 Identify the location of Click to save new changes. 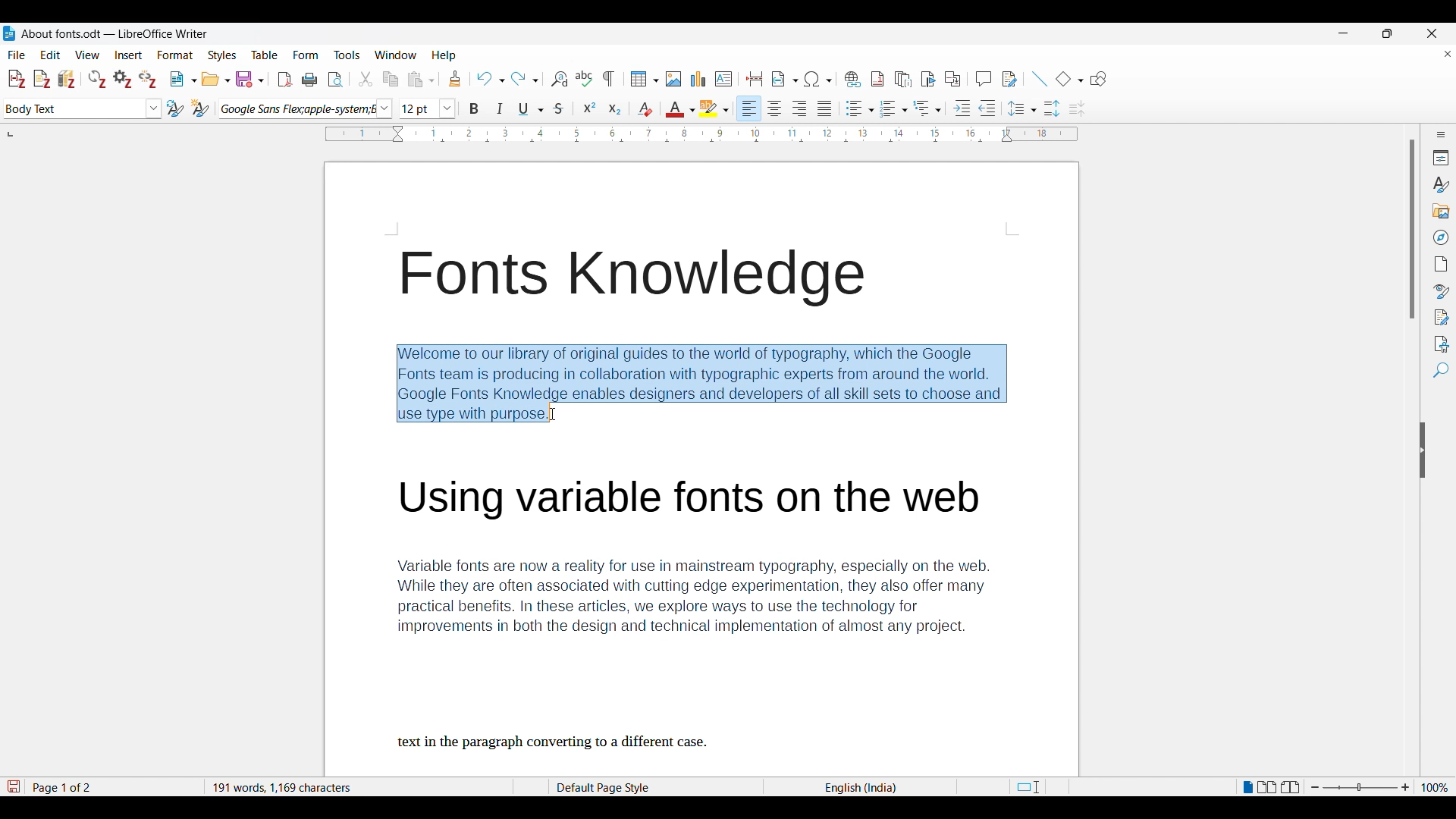
(13, 786).